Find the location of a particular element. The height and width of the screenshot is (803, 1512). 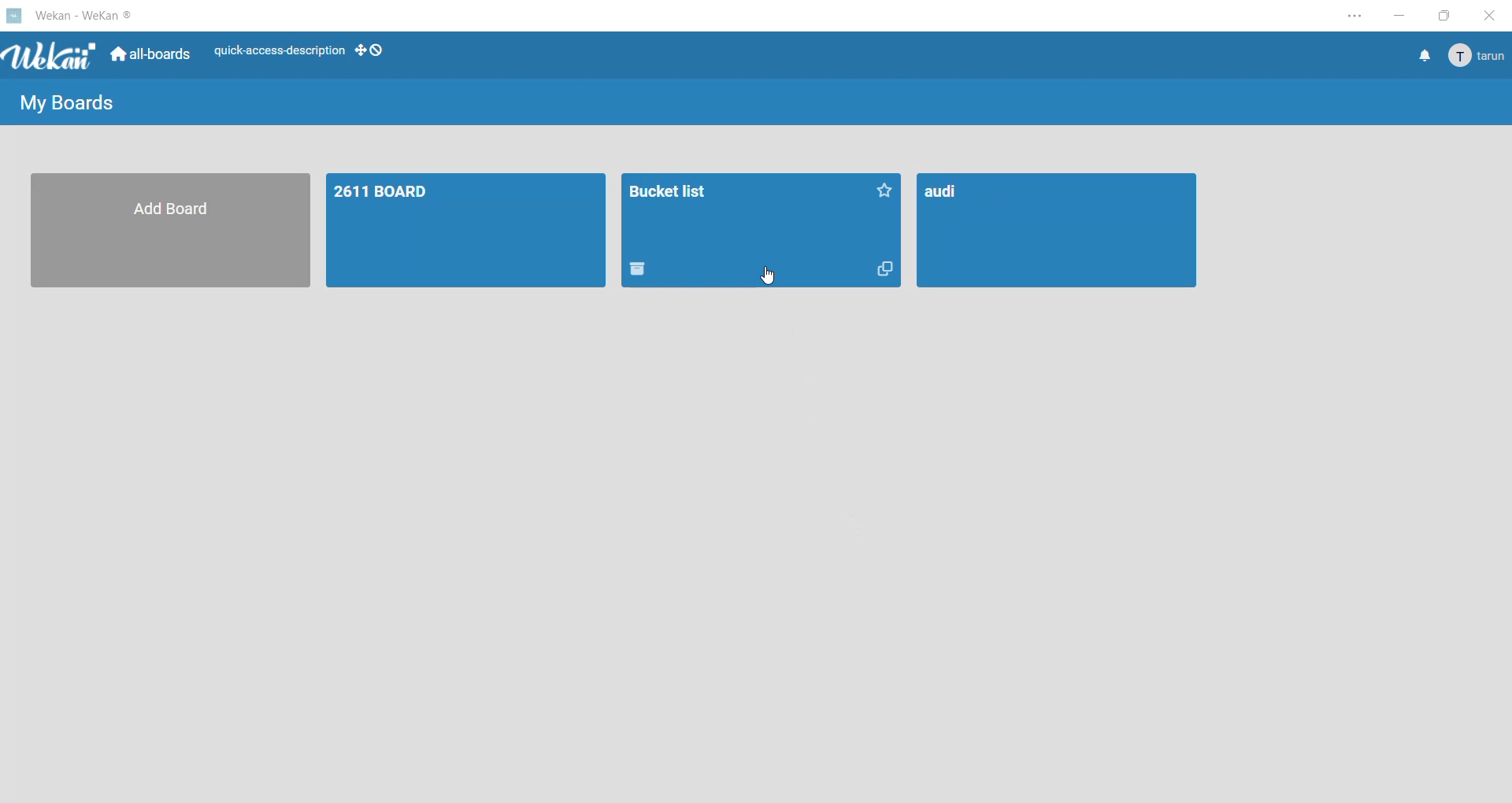

show desktop drag handles is located at coordinates (373, 51).